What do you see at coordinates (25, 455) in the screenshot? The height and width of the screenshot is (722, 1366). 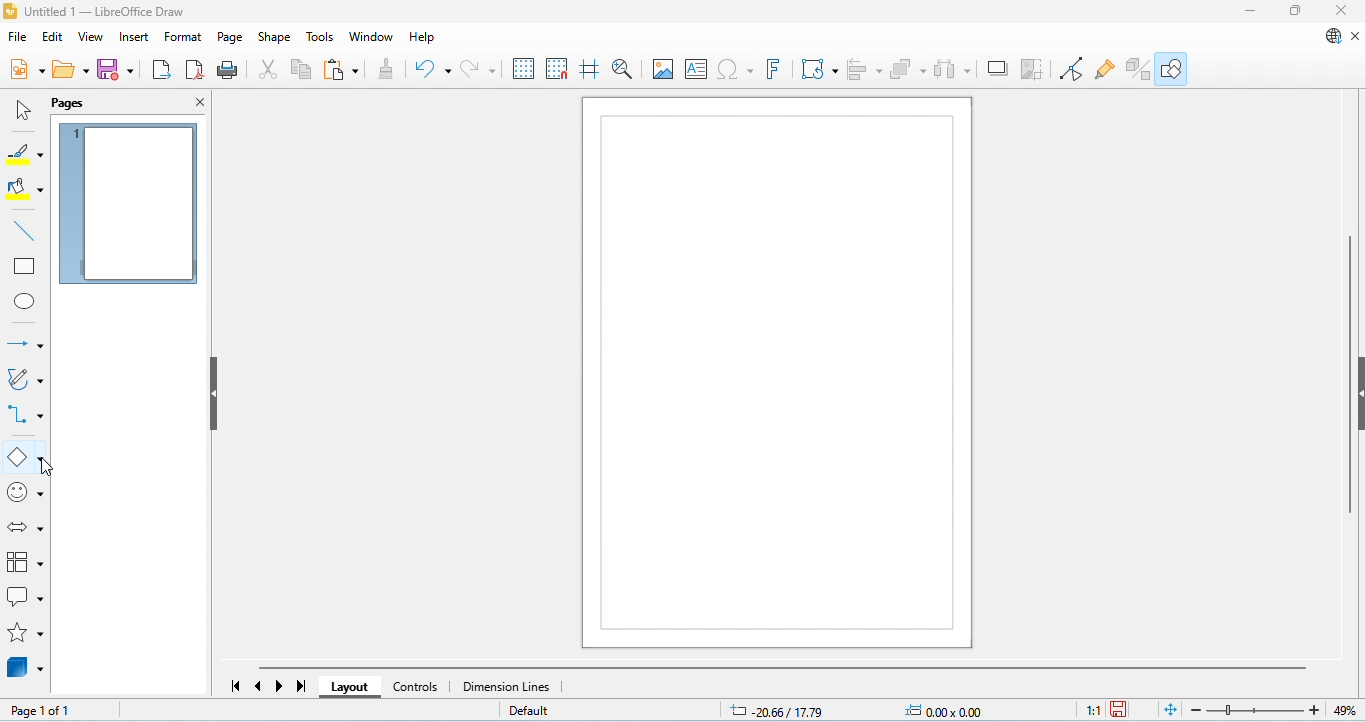 I see `basic shapes` at bounding box center [25, 455].